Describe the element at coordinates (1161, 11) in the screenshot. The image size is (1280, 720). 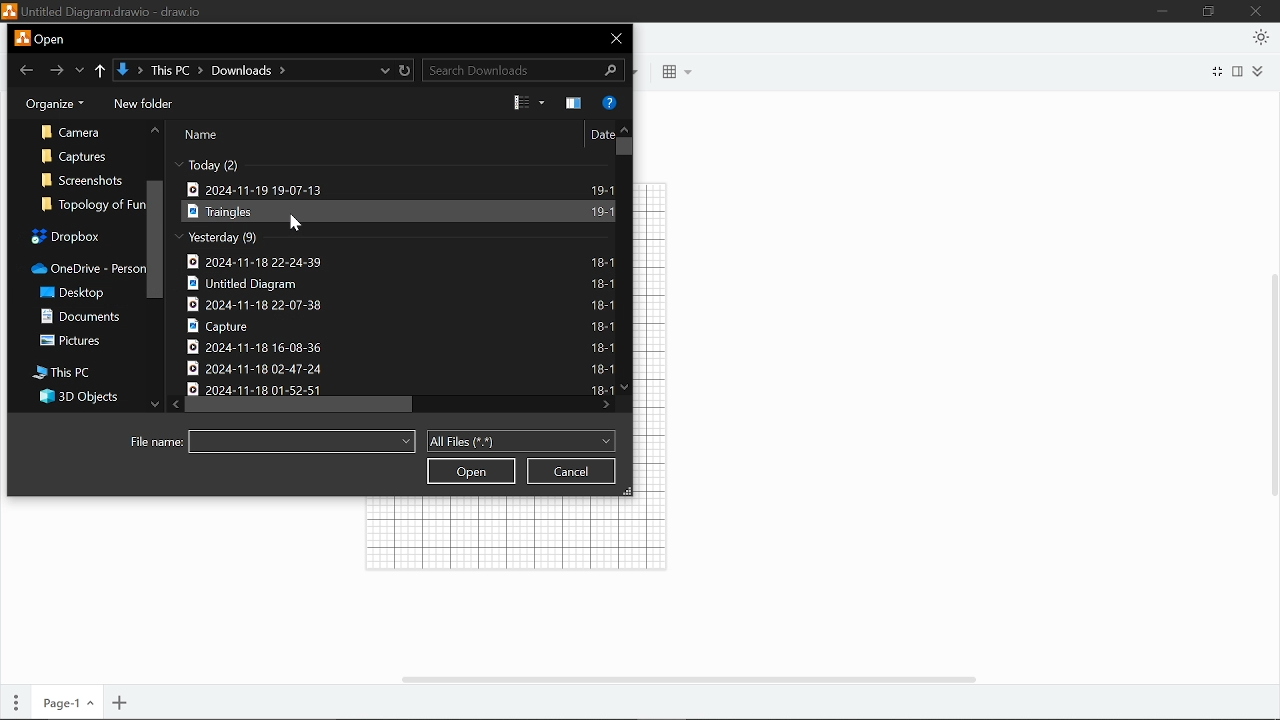
I see `Minimize` at that location.